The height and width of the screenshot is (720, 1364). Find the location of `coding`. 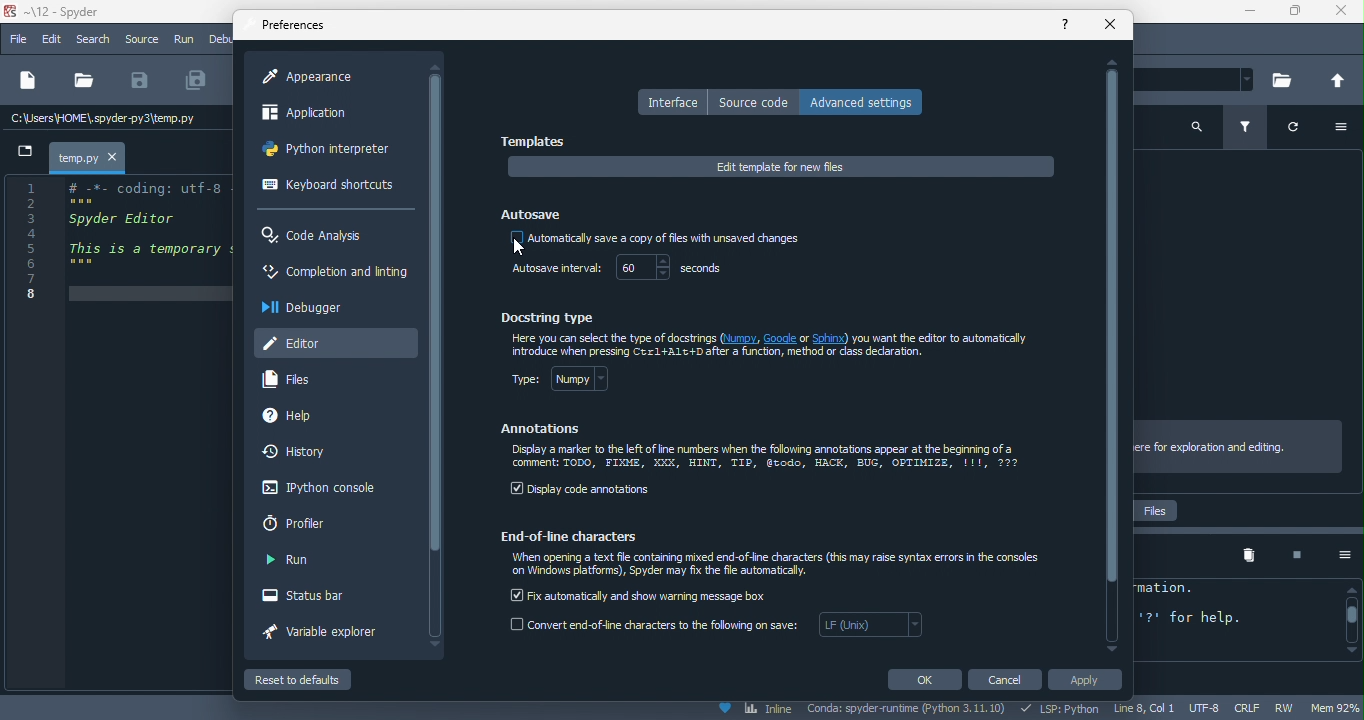

coding is located at coordinates (119, 240).